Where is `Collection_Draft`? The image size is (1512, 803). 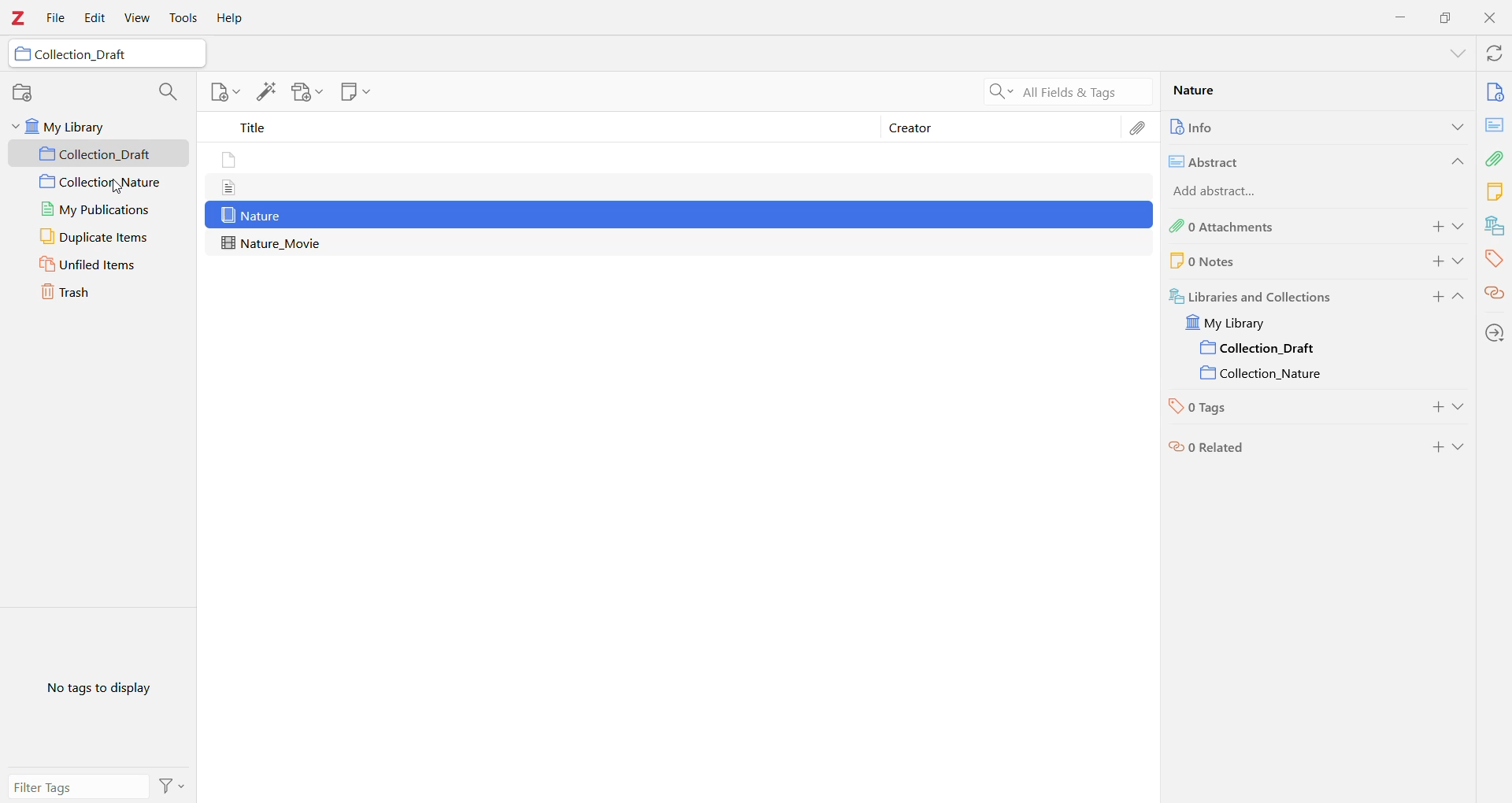
Collection_Draft is located at coordinates (100, 154).